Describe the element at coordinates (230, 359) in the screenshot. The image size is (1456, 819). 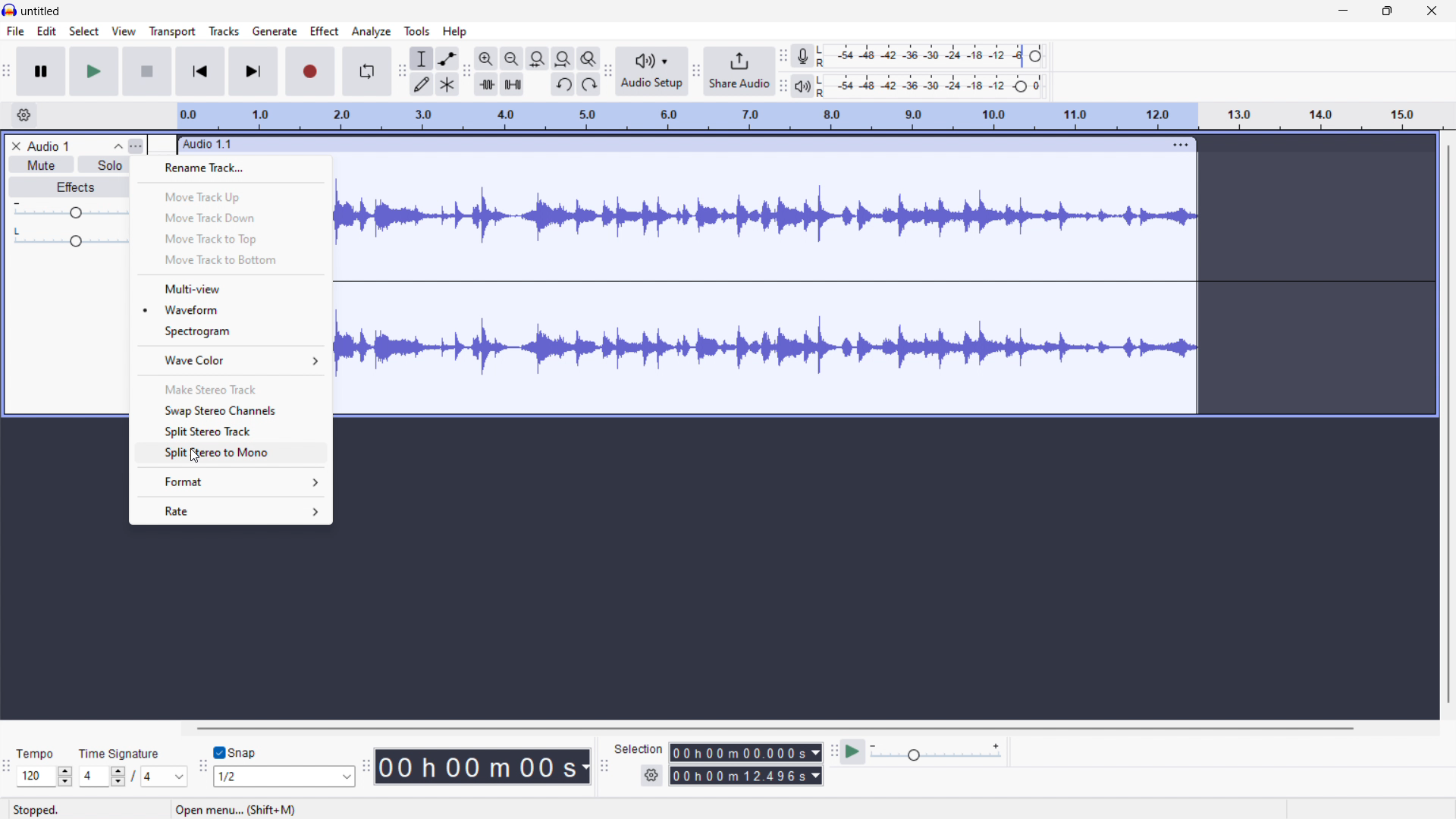
I see `wave color` at that location.